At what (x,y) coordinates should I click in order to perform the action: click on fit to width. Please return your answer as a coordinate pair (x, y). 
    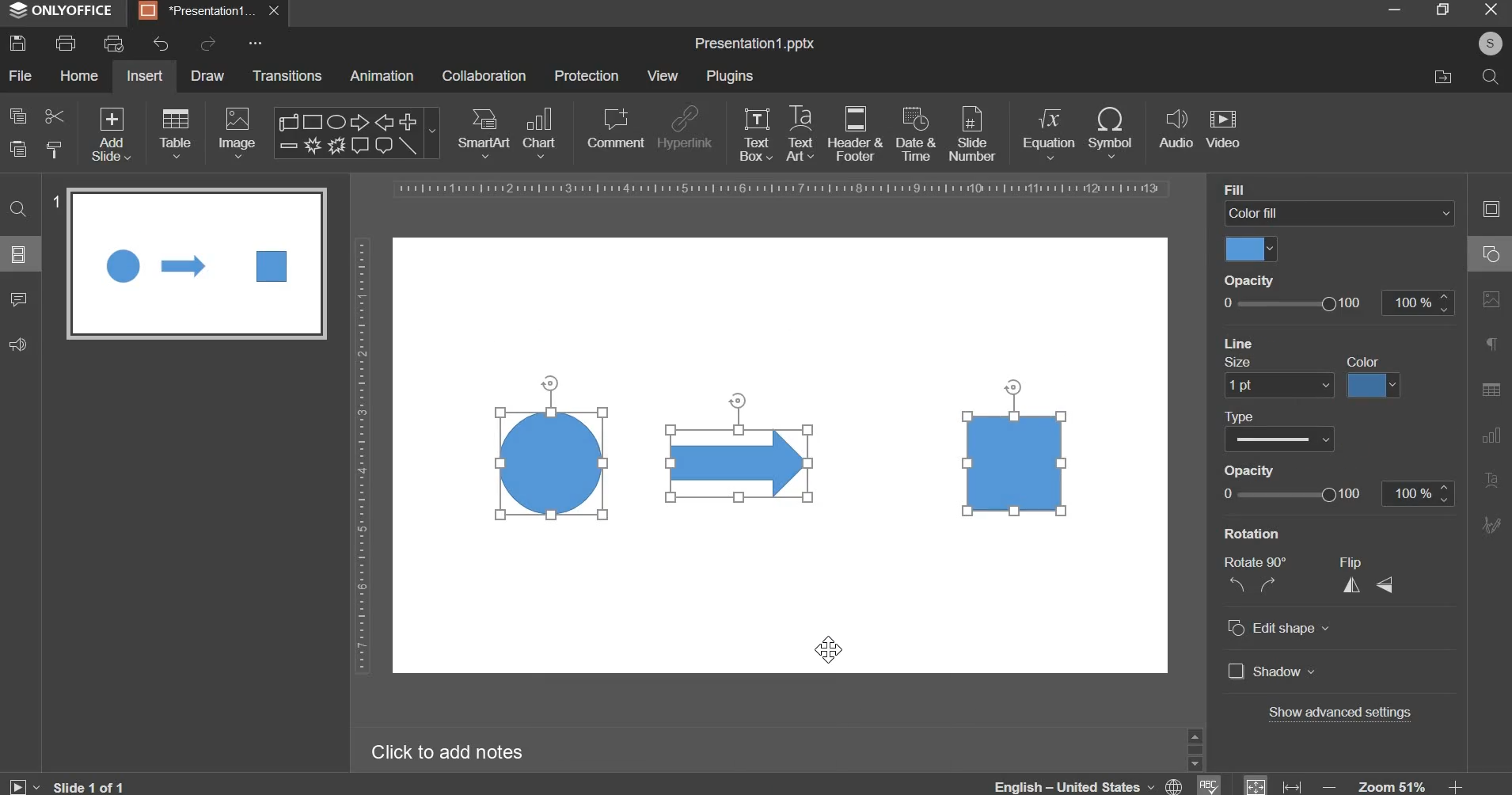
    Looking at the image, I should click on (1294, 786).